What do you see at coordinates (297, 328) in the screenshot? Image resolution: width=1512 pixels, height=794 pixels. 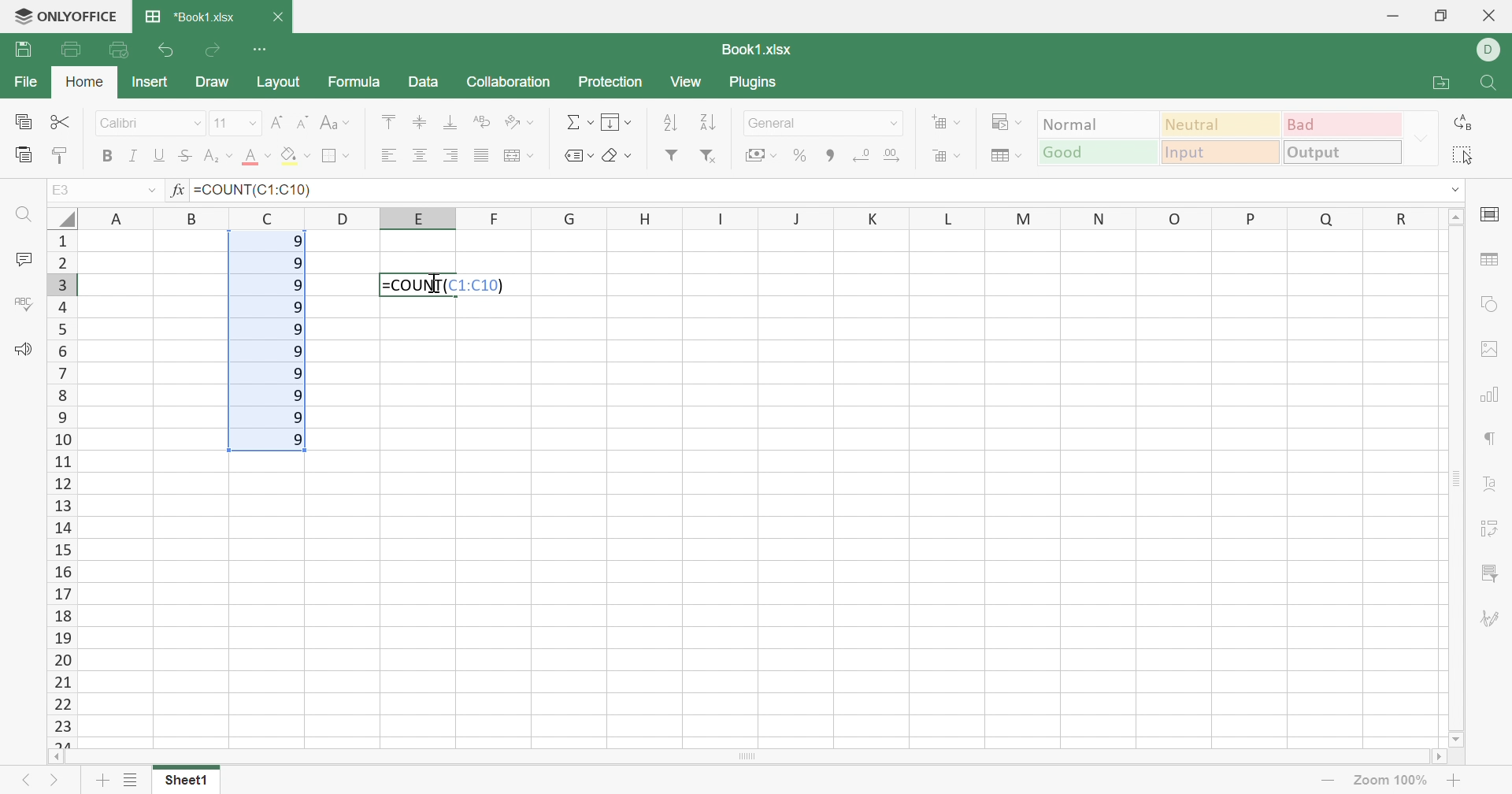 I see `9` at bounding box center [297, 328].